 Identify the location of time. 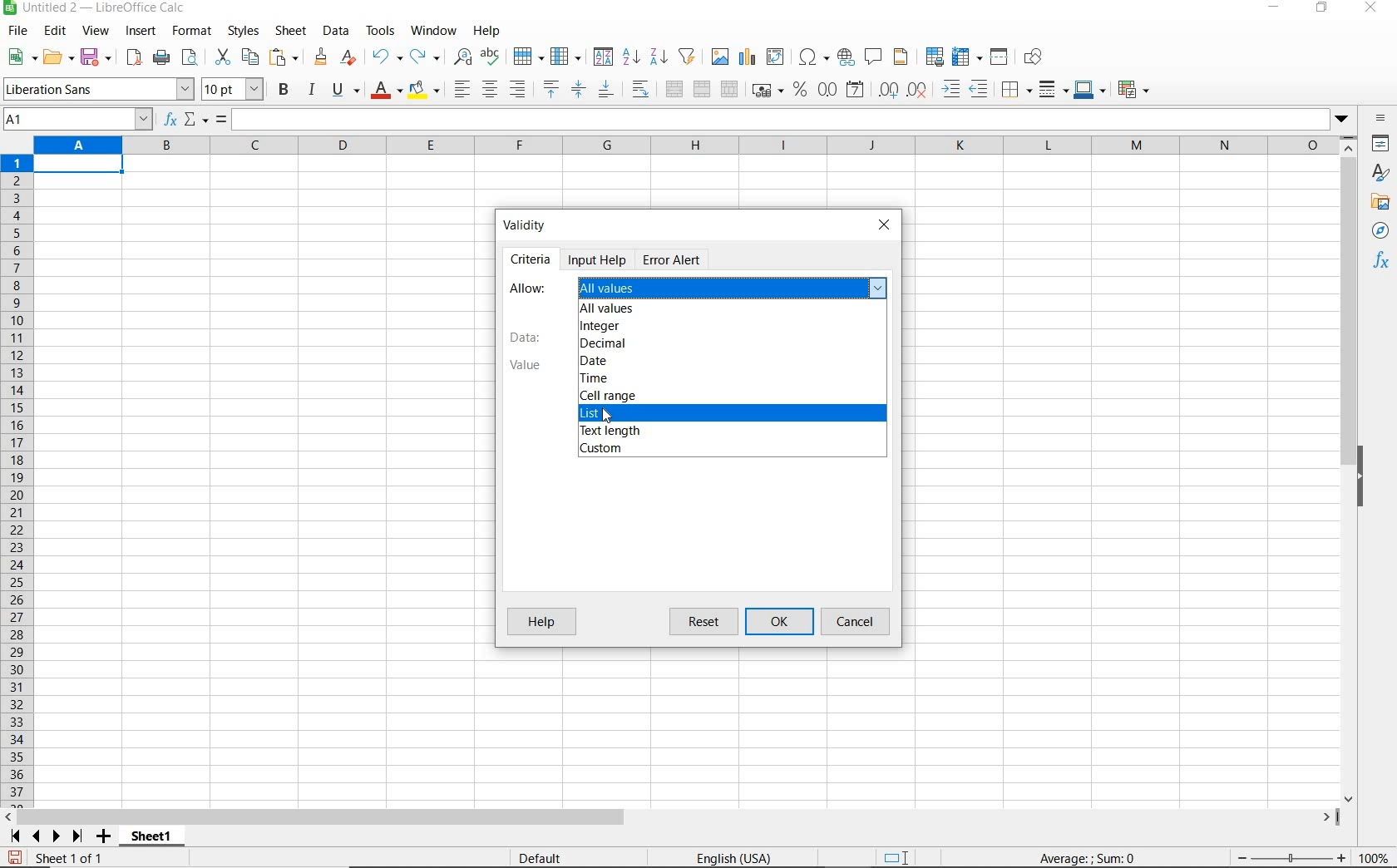
(596, 379).